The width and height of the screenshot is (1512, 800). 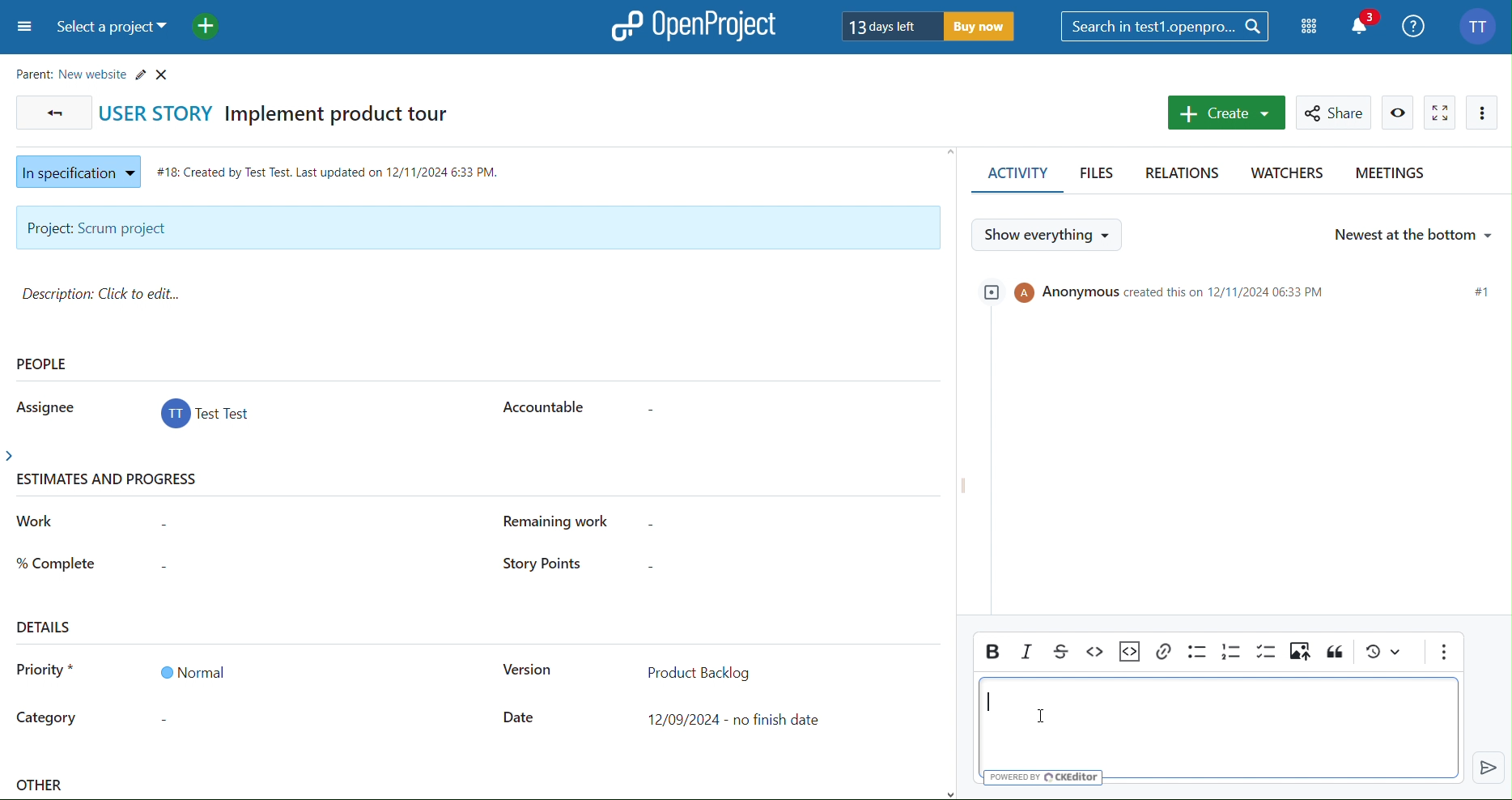 What do you see at coordinates (1064, 651) in the screenshot?
I see `Strikethrough` at bounding box center [1064, 651].